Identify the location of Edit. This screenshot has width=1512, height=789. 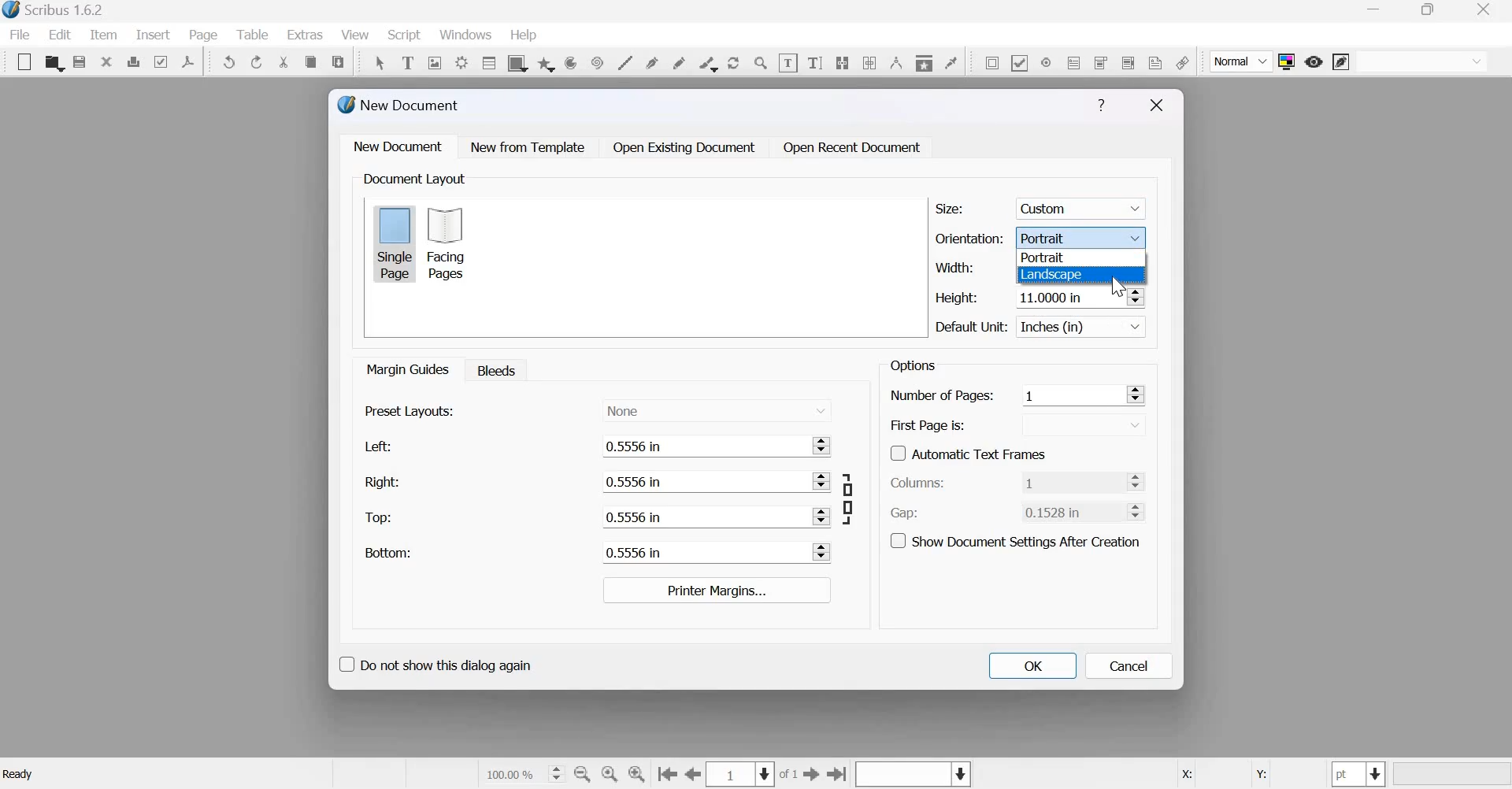
(60, 35).